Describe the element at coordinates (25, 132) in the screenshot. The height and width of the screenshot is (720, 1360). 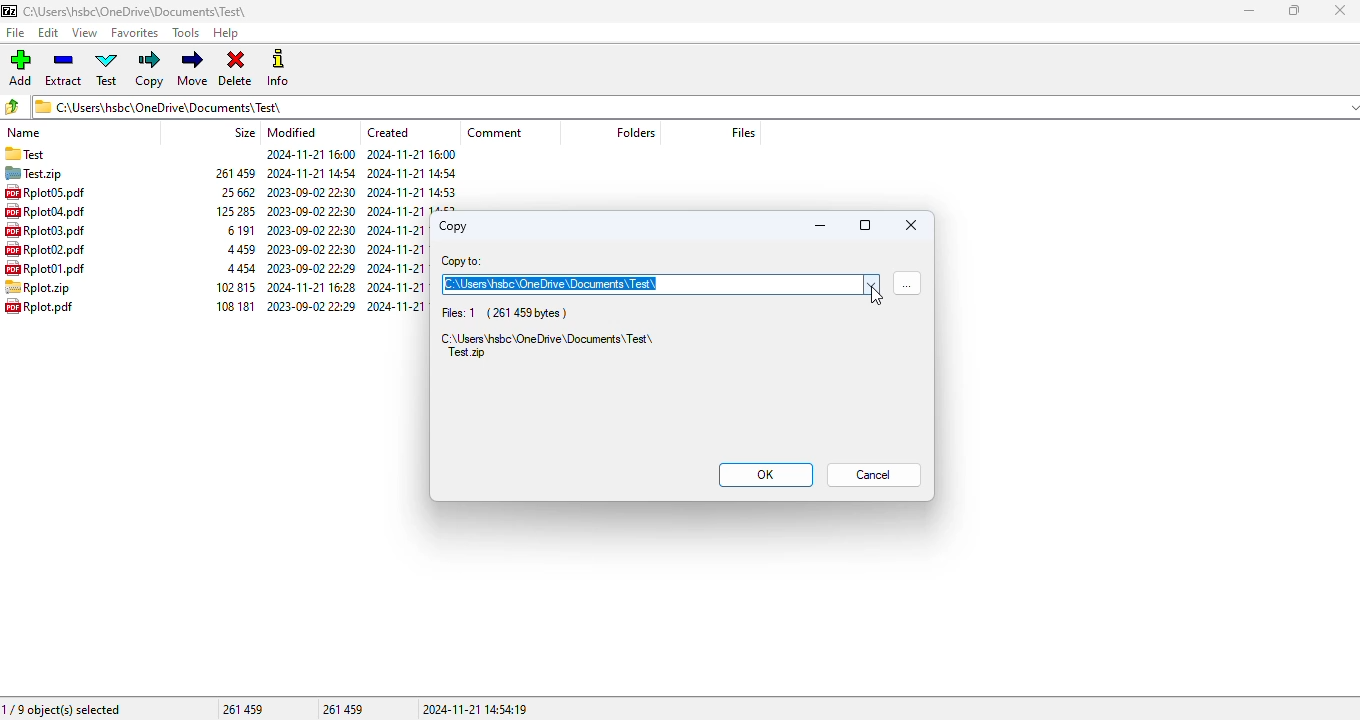
I see `name` at that location.